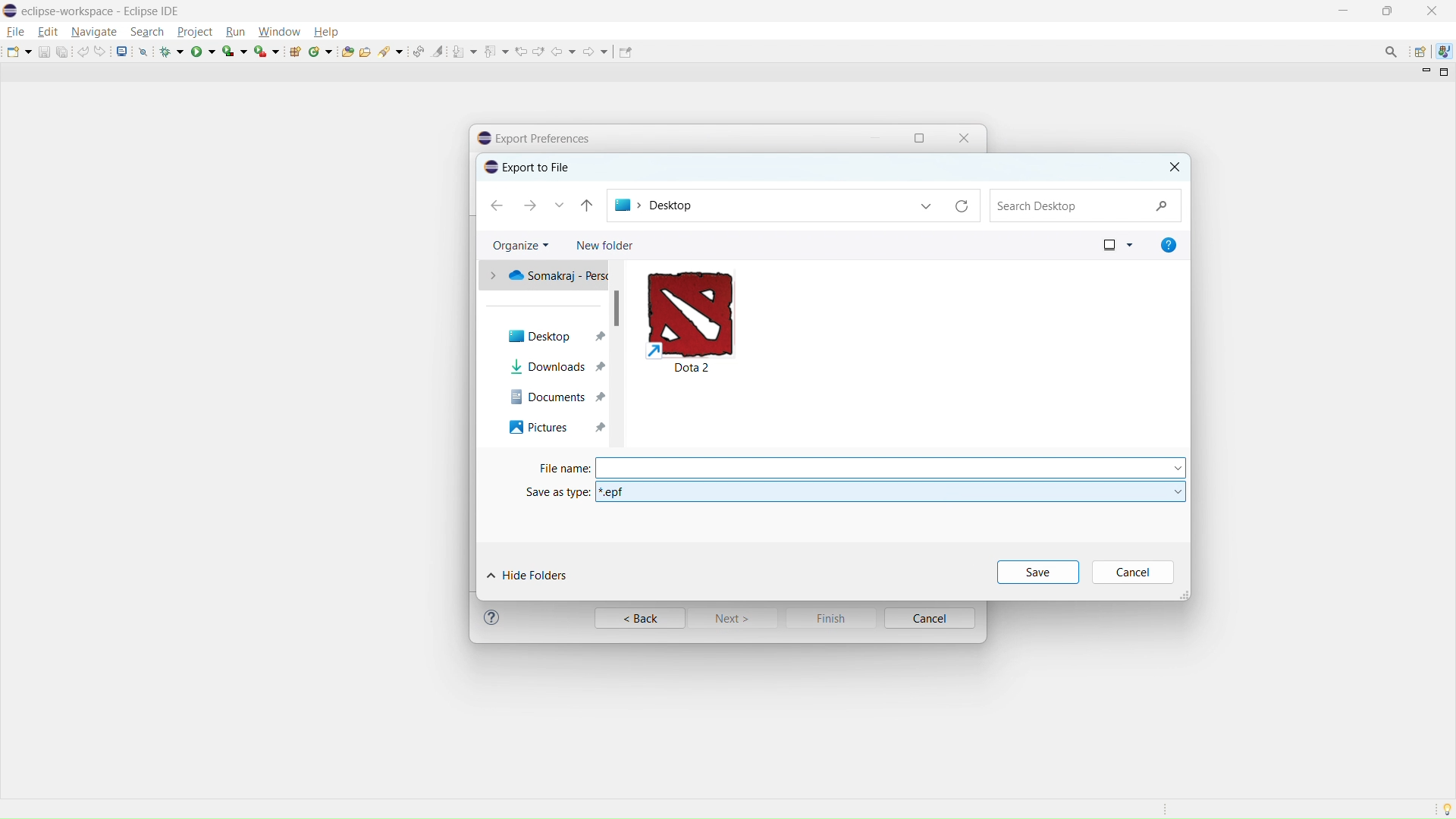 The width and height of the screenshot is (1456, 819). What do you see at coordinates (234, 51) in the screenshot?
I see `coverage` at bounding box center [234, 51].